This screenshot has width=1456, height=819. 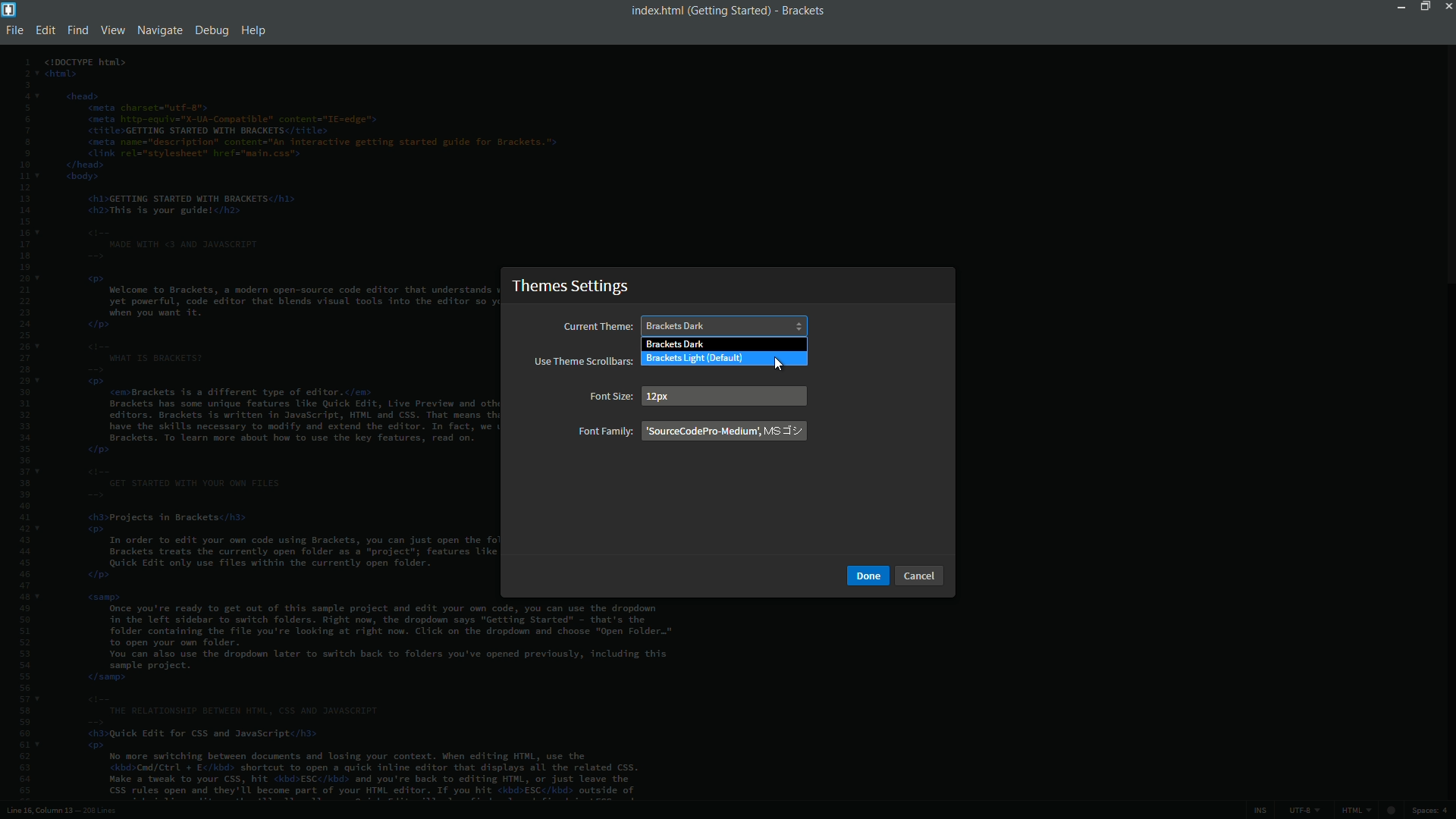 What do you see at coordinates (268, 427) in the screenshot?
I see `file code` at bounding box center [268, 427].